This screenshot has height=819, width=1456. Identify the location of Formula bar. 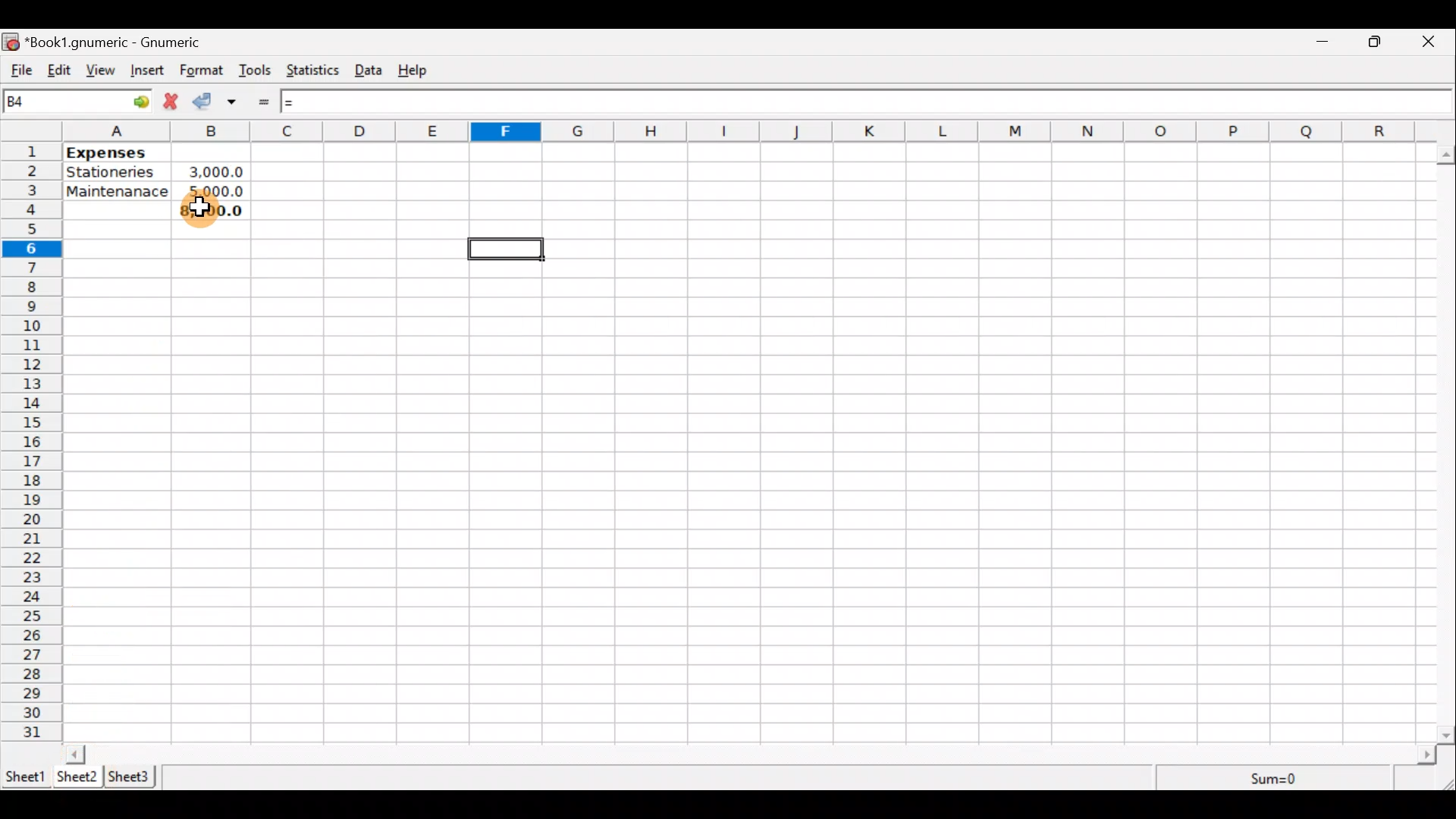
(860, 100).